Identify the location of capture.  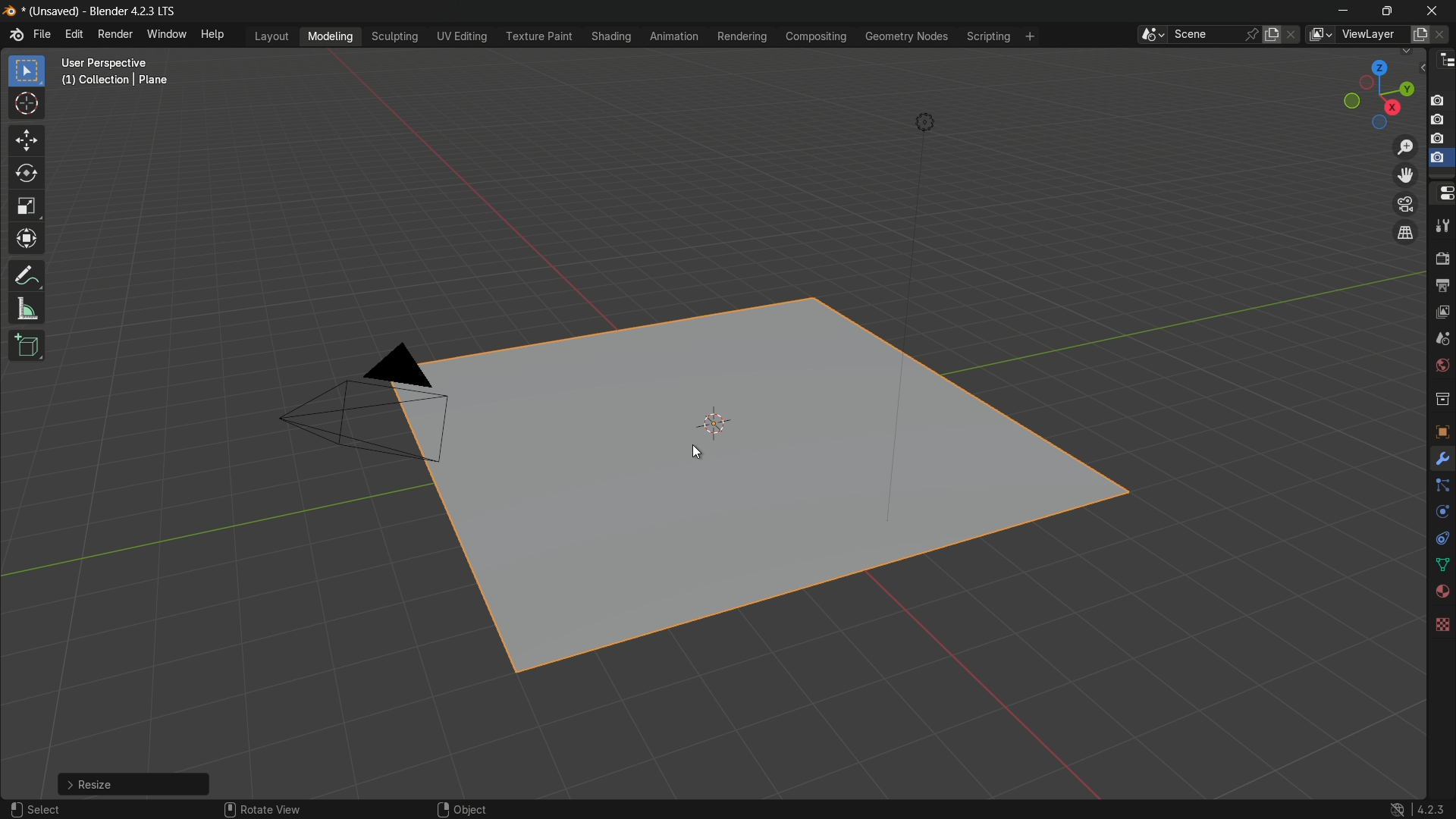
(1438, 118).